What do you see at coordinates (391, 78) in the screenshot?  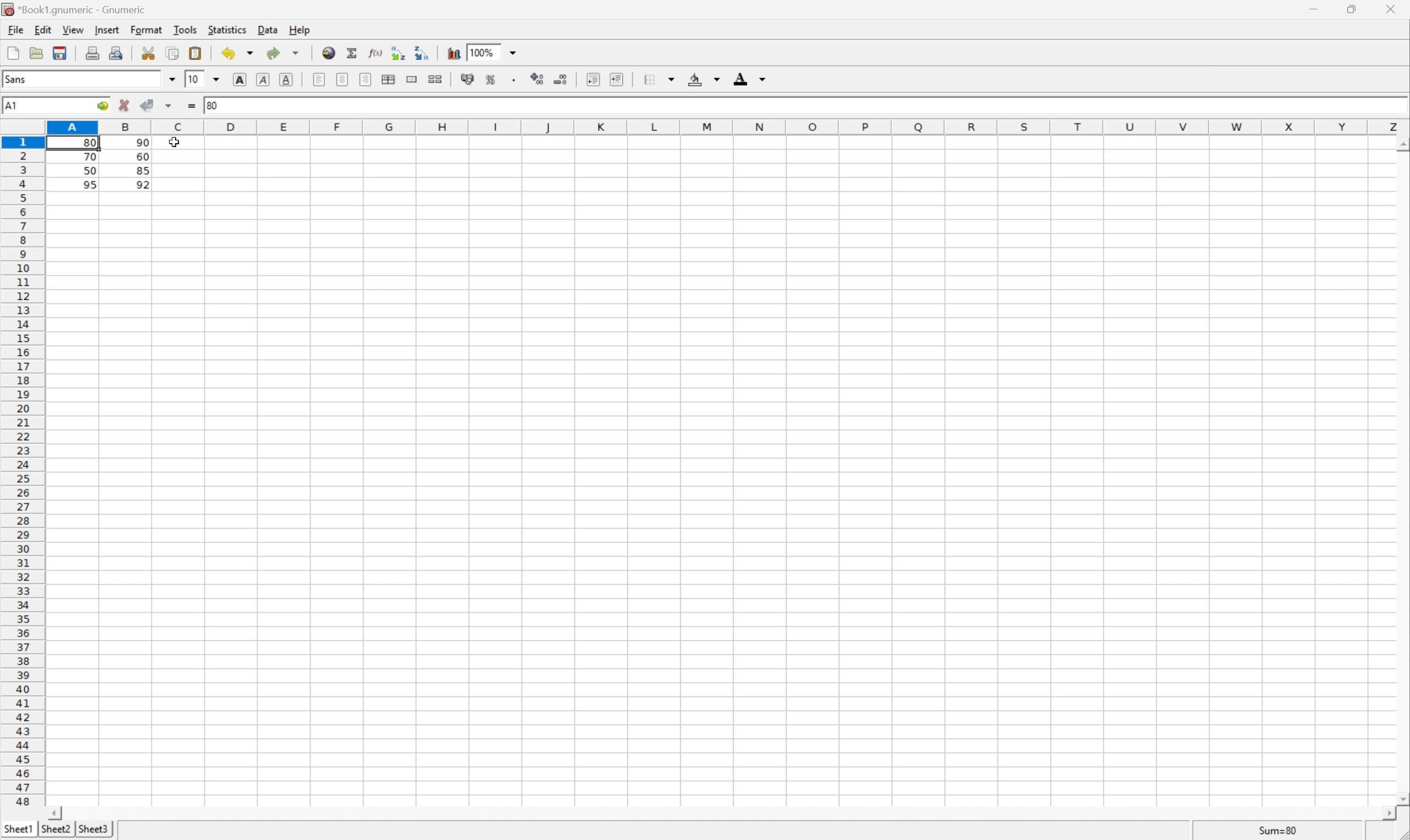 I see `Center horizontally across selection` at bounding box center [391, 78].